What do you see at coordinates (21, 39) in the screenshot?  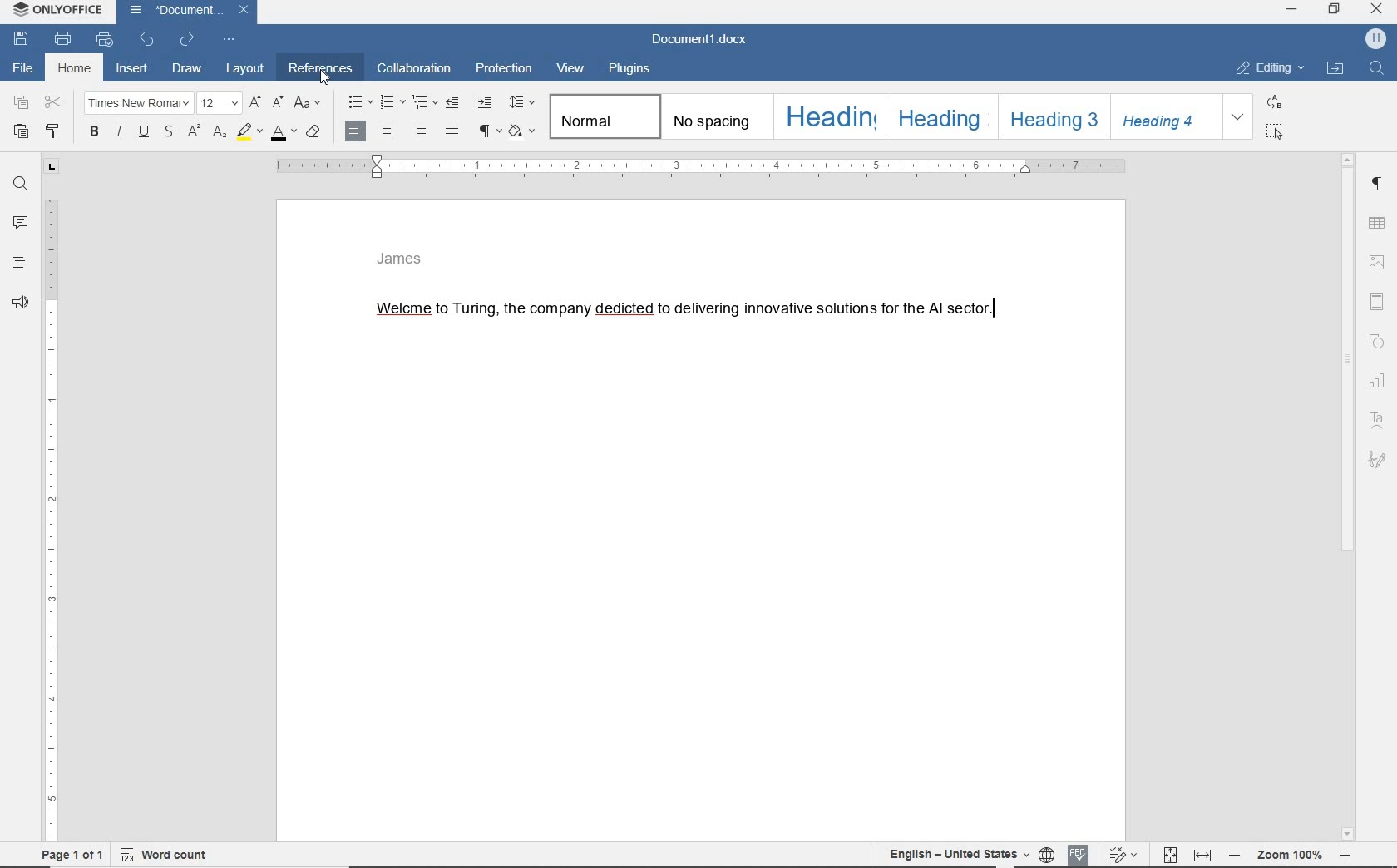 I see `save` at bounding box center [21, 39].